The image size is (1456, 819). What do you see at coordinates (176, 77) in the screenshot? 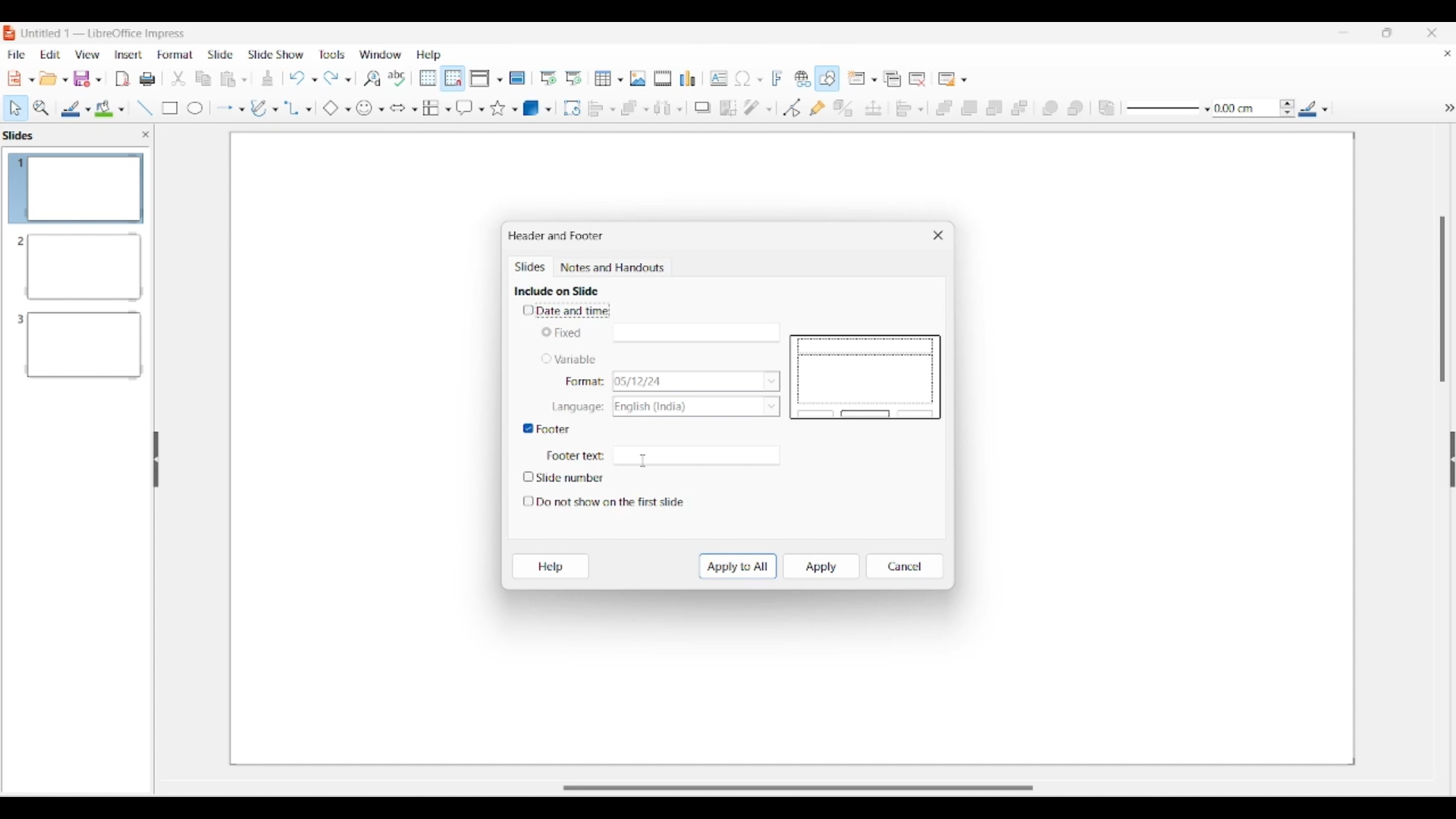
I see `trim` at bounding box center [176, 77].